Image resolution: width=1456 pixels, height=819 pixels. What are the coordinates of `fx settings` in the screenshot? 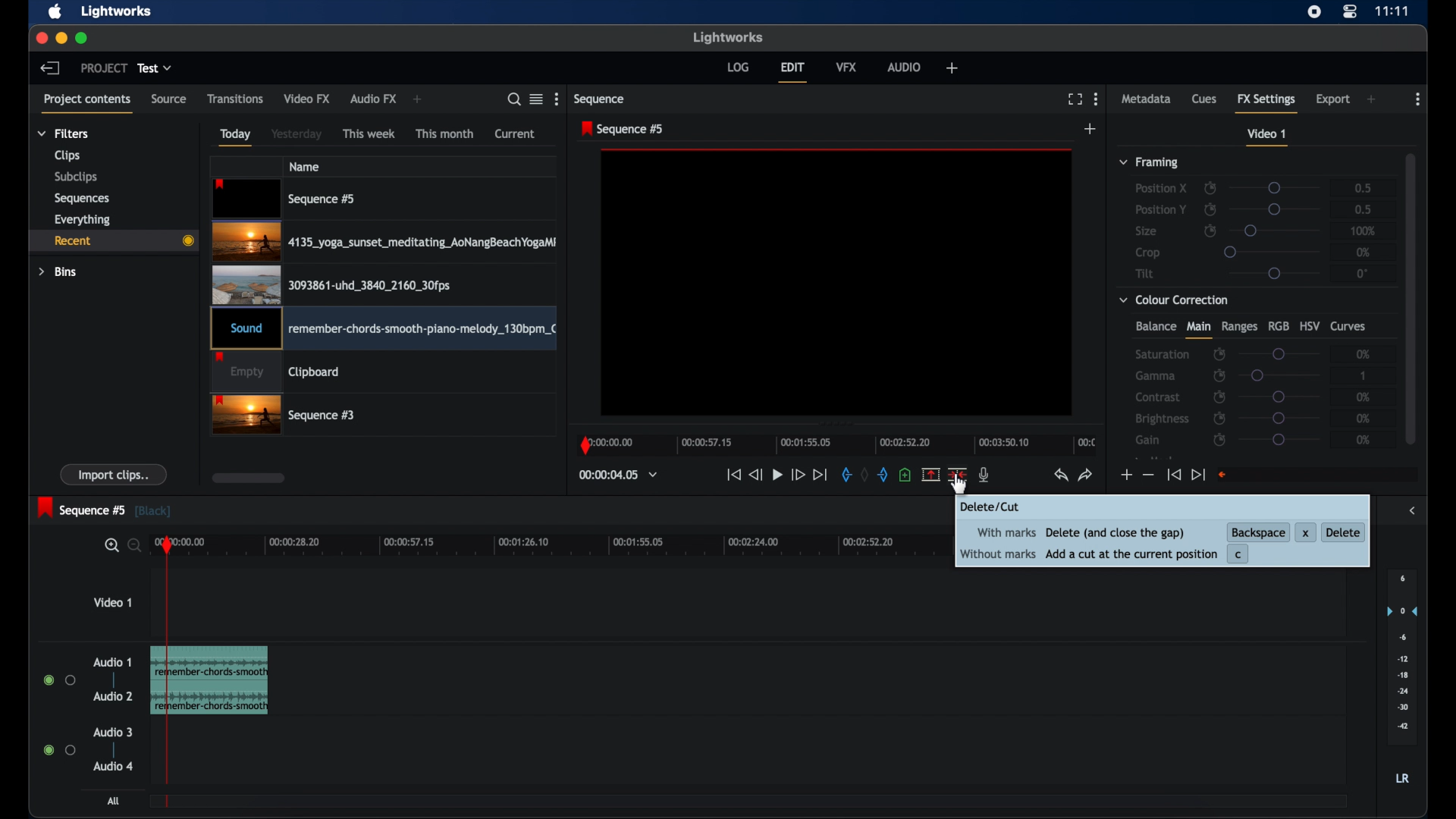 It's located at (1266, 102).